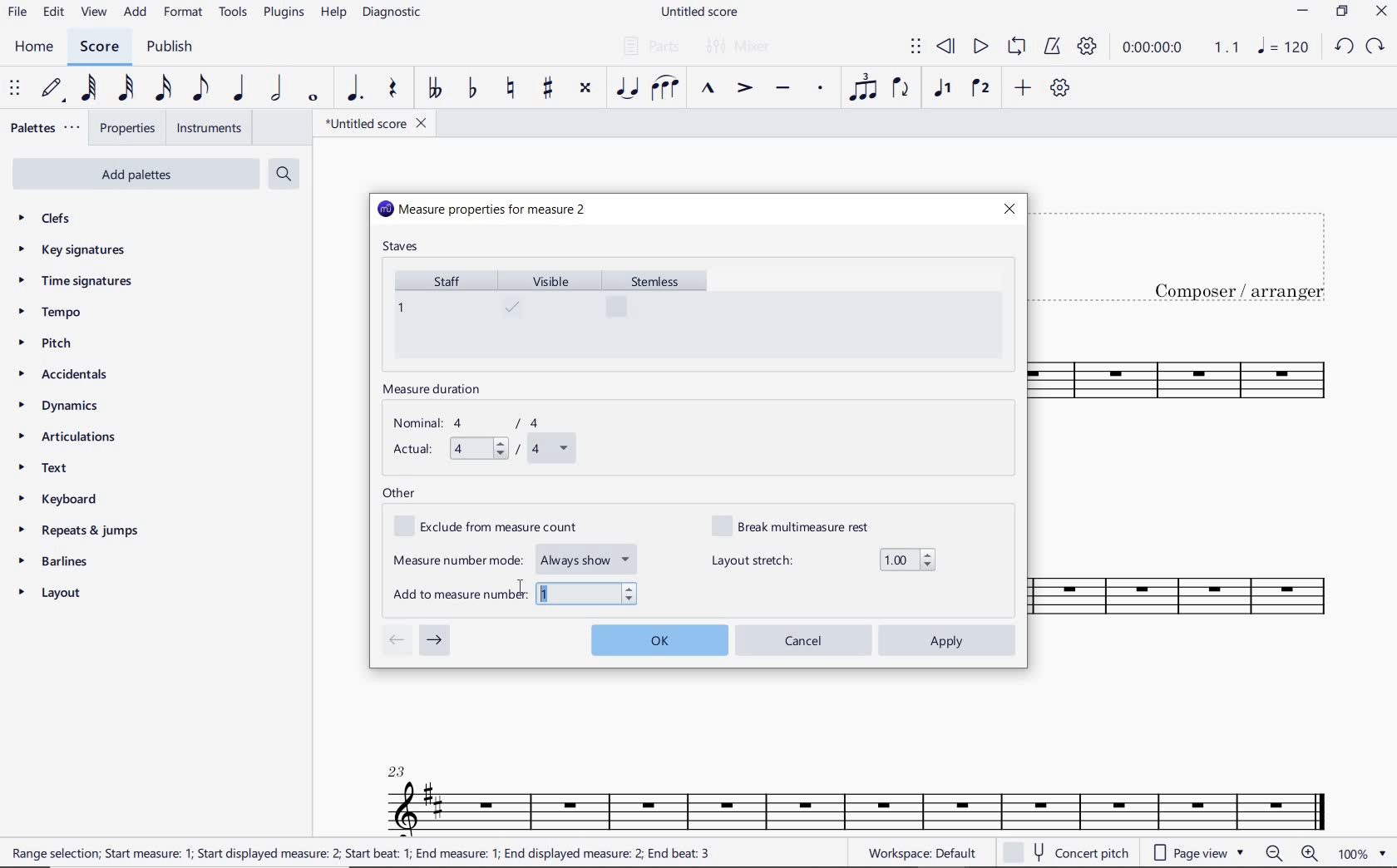  Describe the element at coordinates (513, 89) in the screenshot. I see `TOGGLE NATURAL` at that location.